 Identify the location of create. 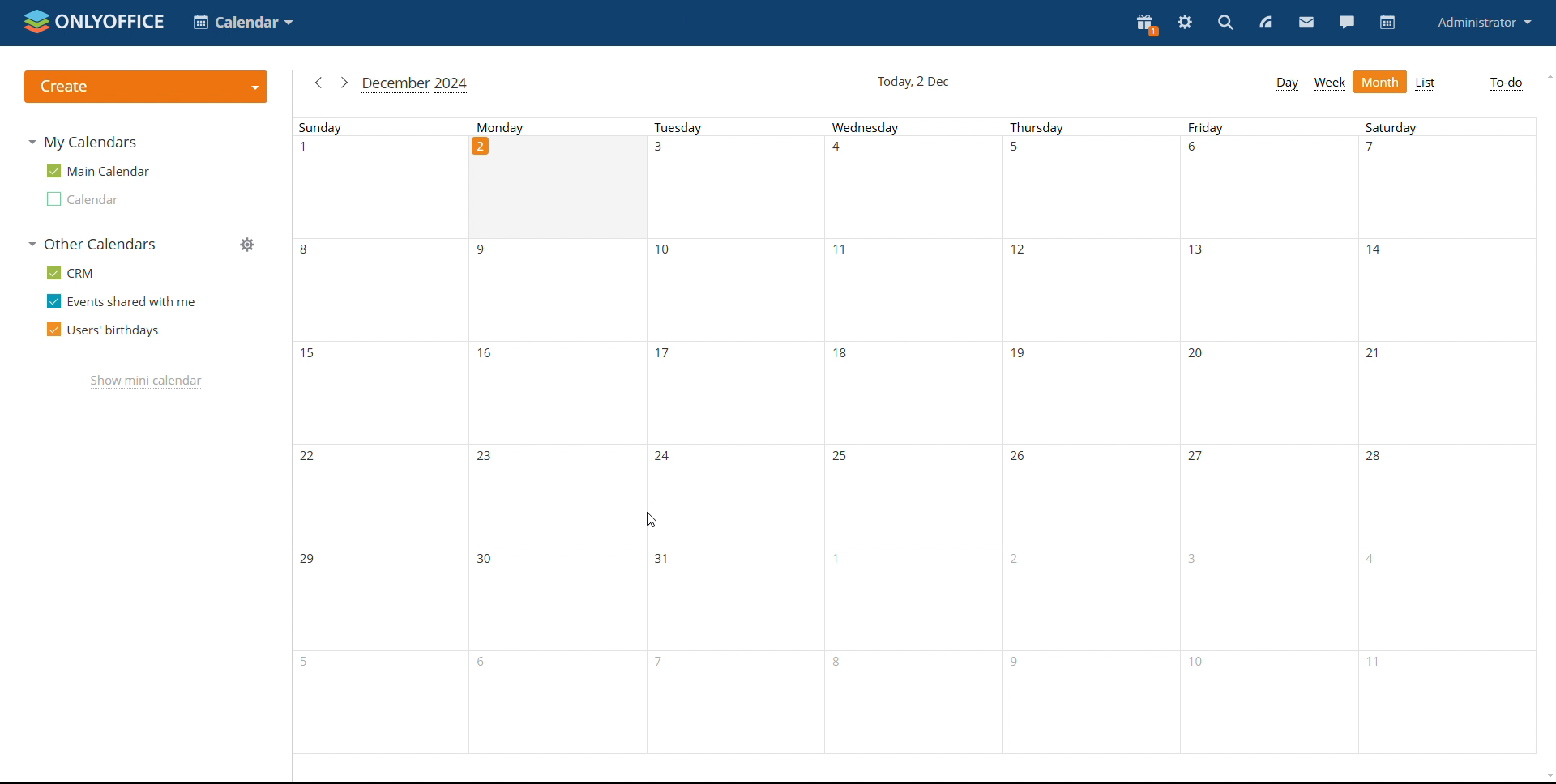
(146, 87).